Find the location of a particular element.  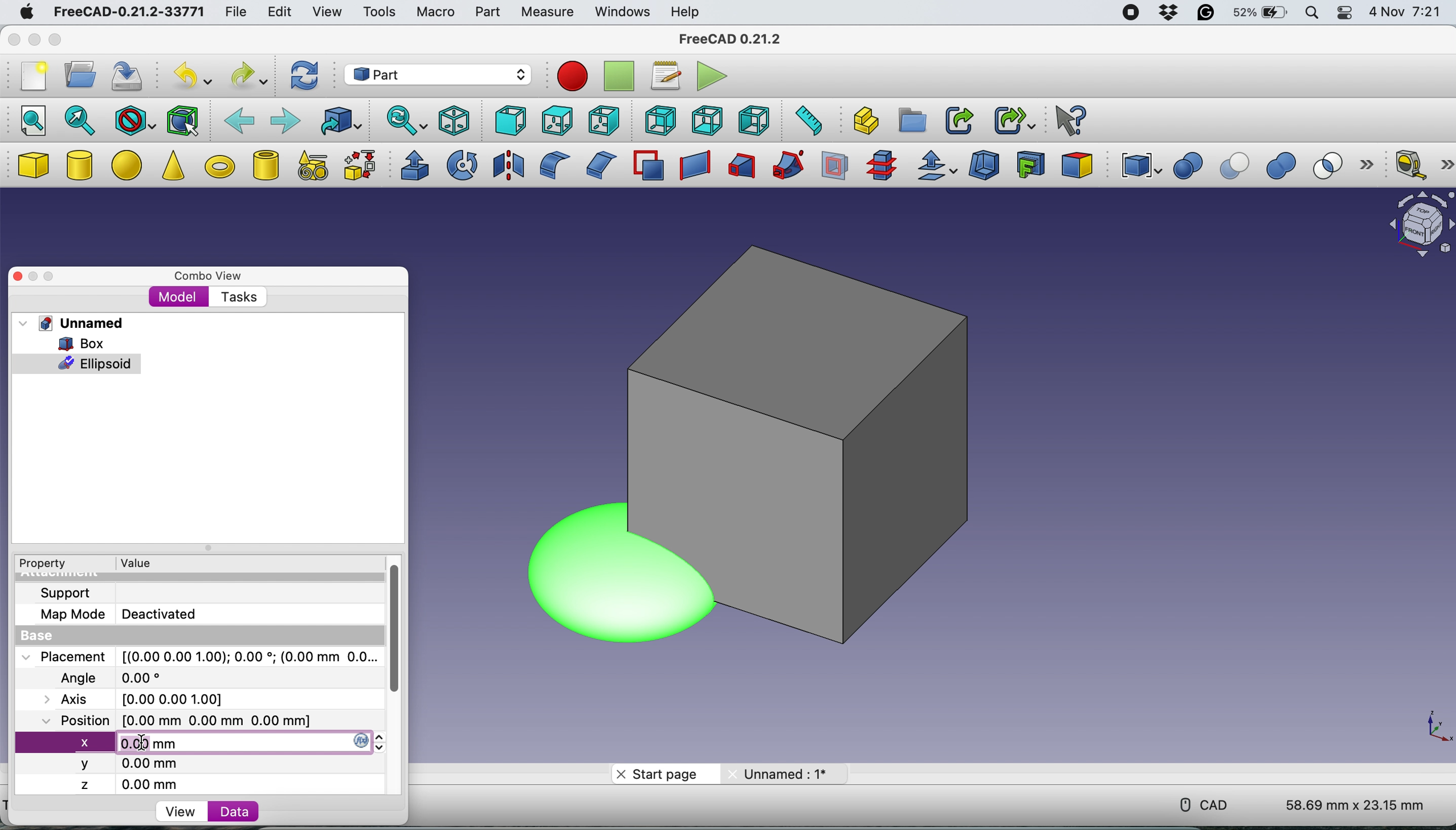

z 0.00 mm is located at coordinates (137, 784).